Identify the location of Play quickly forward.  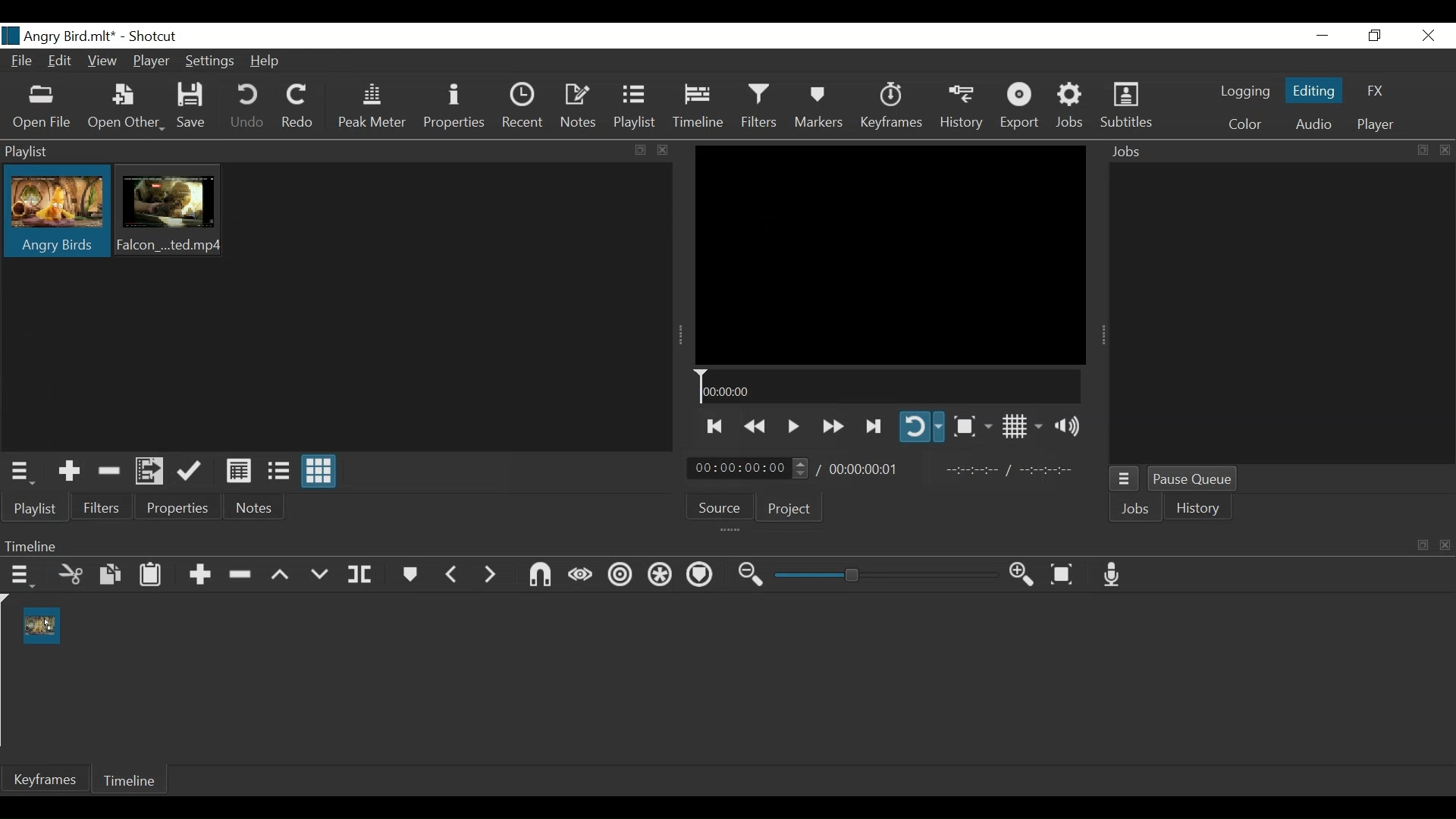
(832, 425).